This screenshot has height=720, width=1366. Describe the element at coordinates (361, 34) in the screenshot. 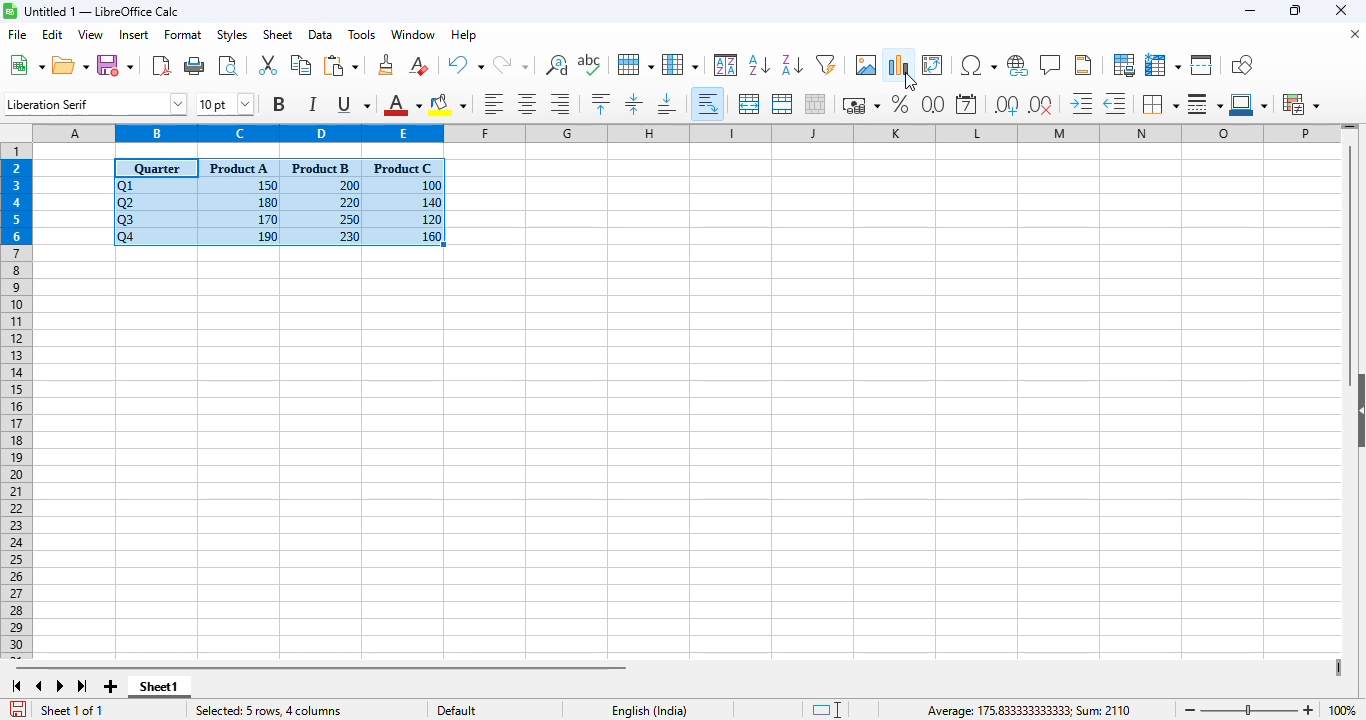

I see `tools` at that location.